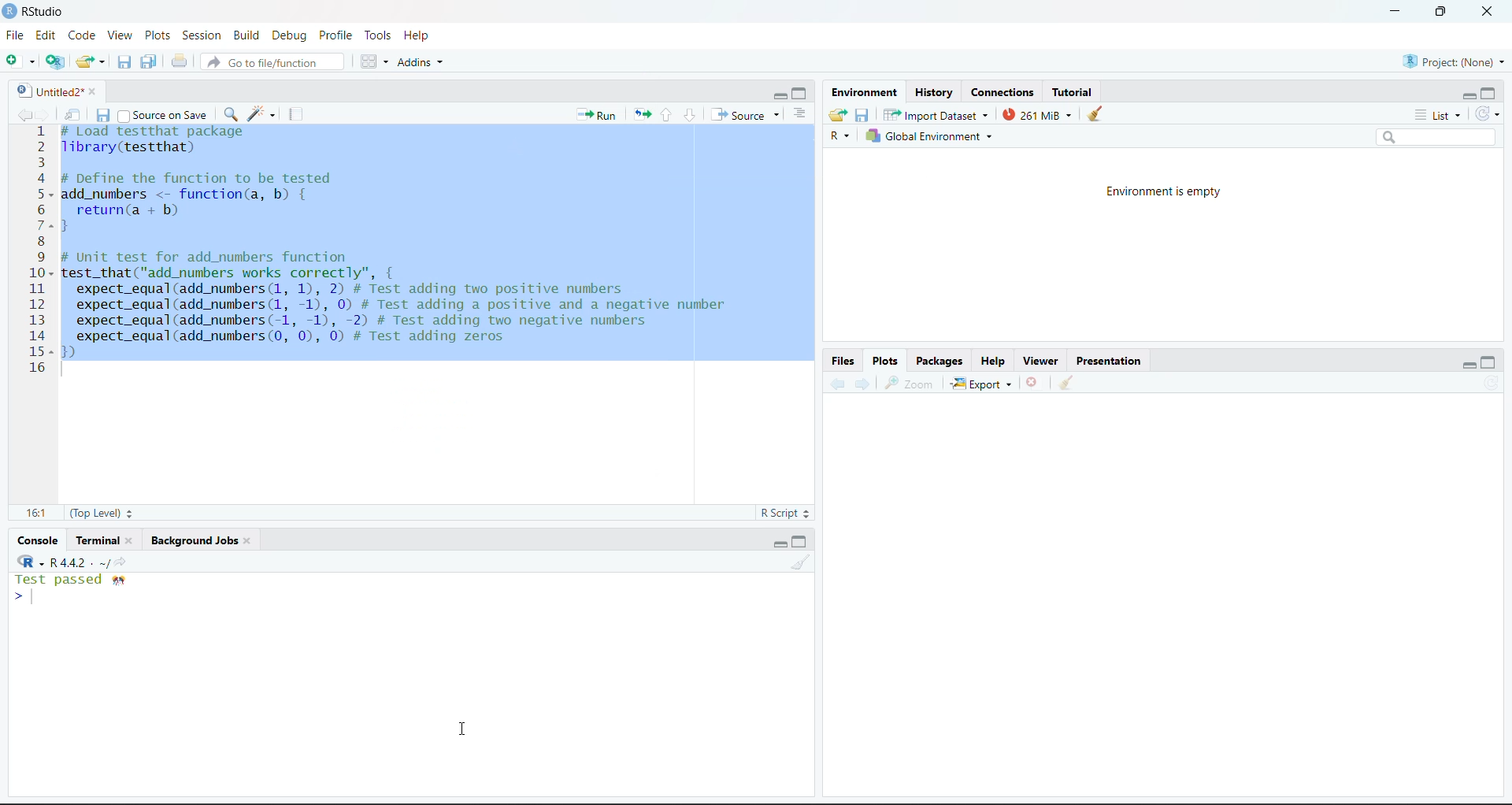 The height and width of the screenshot is (805, 1512). I want to click on (Top Level), so click(90, 514).